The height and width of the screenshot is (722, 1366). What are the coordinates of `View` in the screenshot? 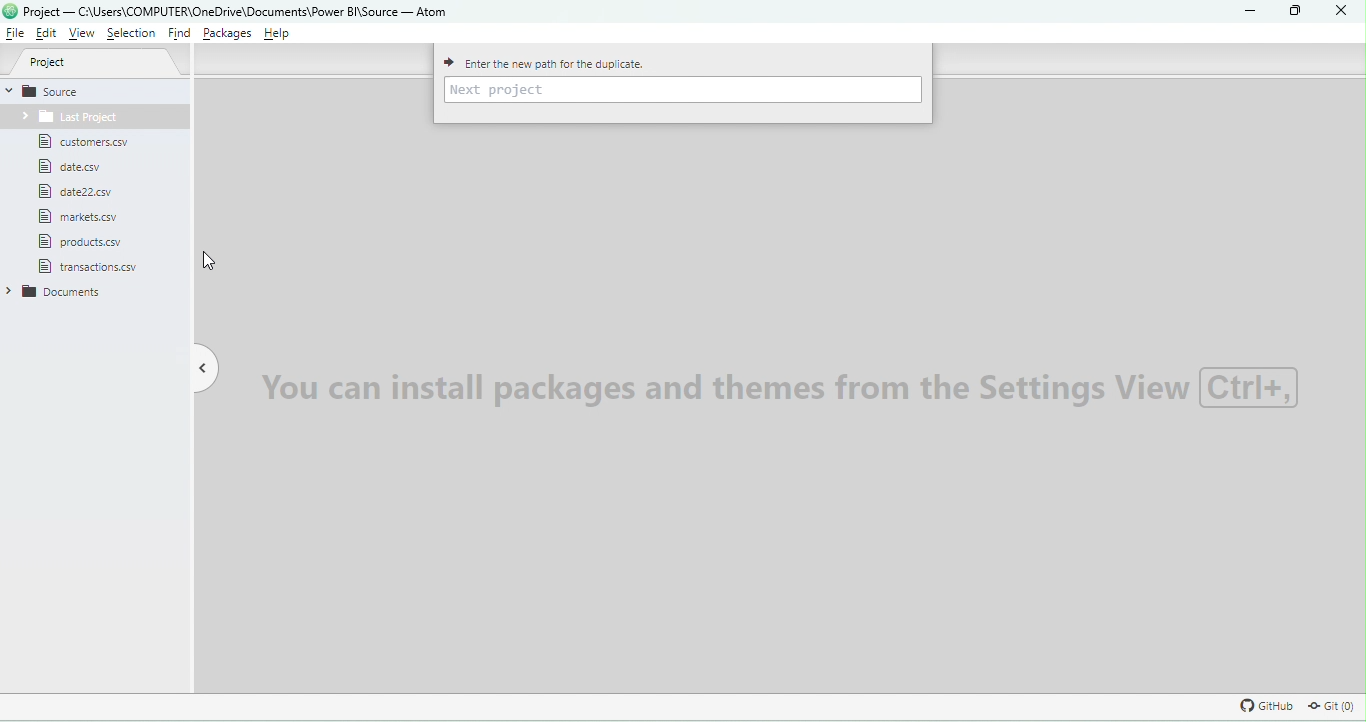 It's located at (83, 34).